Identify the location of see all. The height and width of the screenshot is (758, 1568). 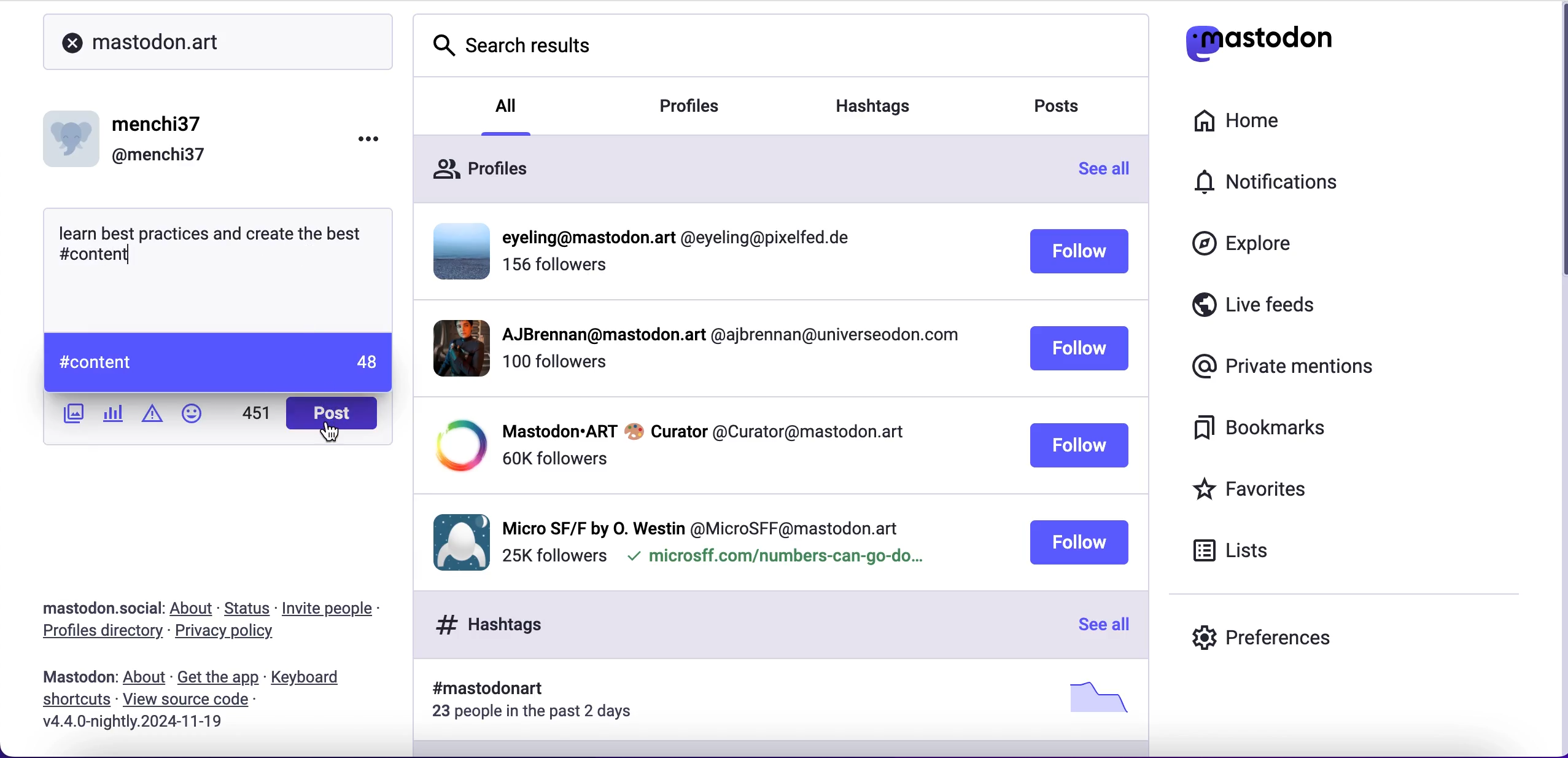
(1101, 626).